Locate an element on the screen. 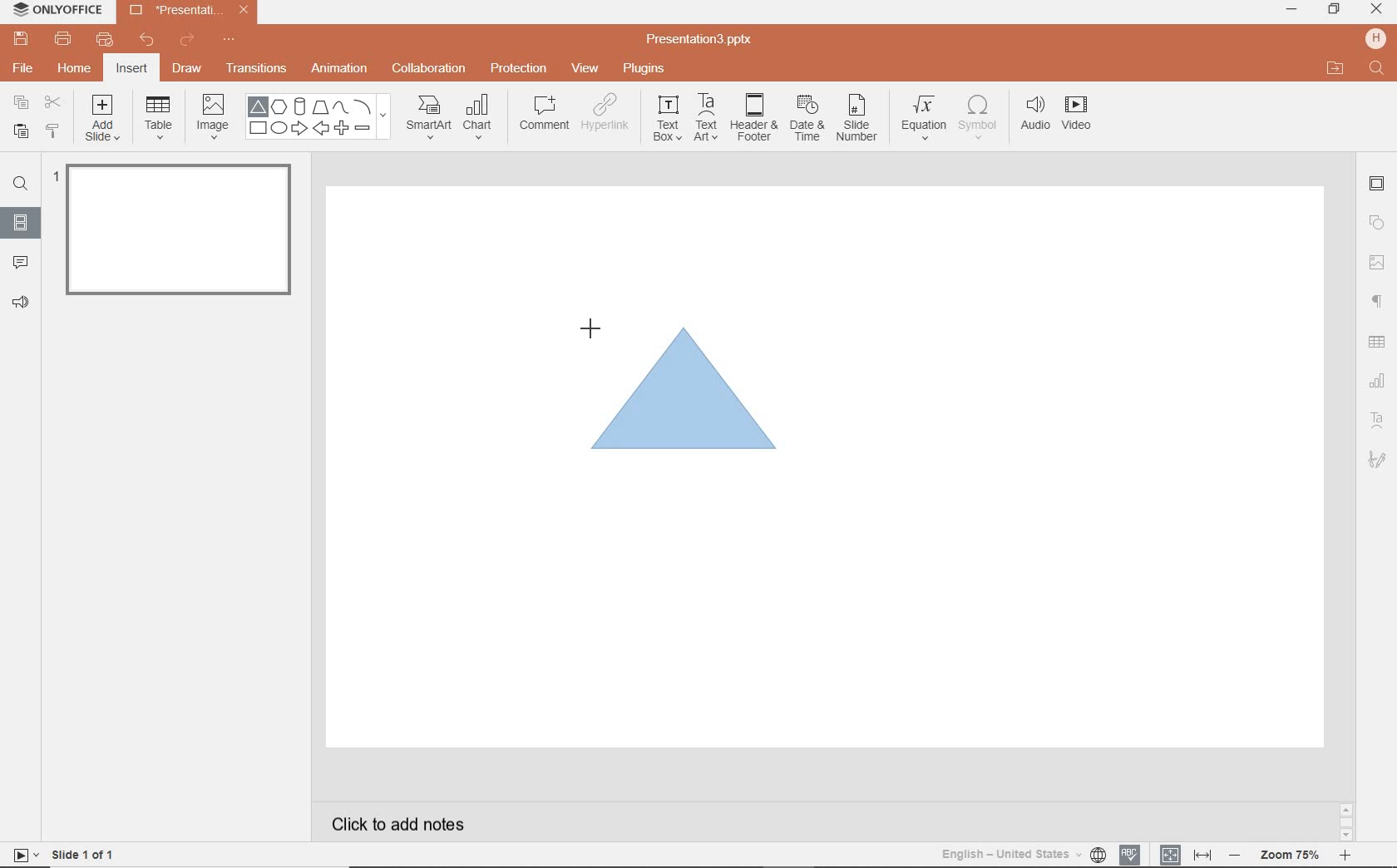 Image resolution: width=1397 pixels, height=868 pixels. MINIMIZE is located at coordinates (1291, 10).